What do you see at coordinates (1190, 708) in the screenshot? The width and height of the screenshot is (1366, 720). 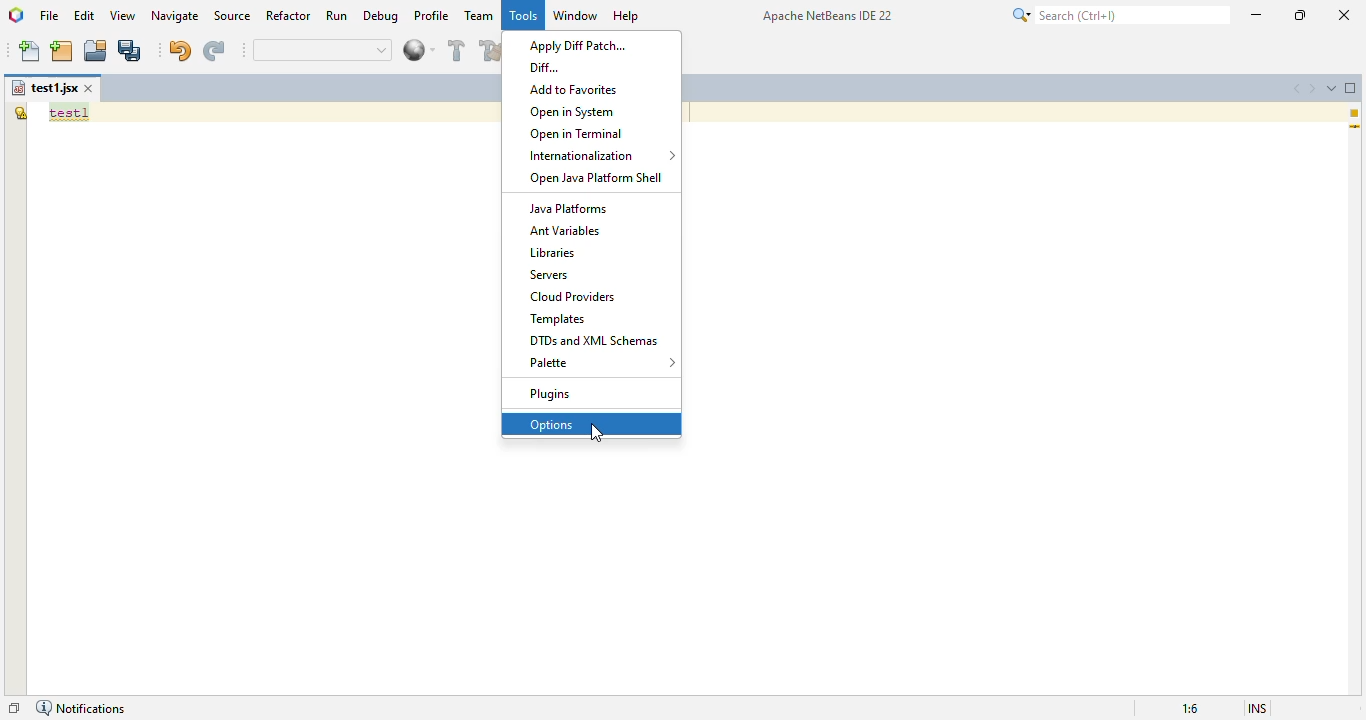 I see `magnification ratio` at bounding box center [1190, 708].